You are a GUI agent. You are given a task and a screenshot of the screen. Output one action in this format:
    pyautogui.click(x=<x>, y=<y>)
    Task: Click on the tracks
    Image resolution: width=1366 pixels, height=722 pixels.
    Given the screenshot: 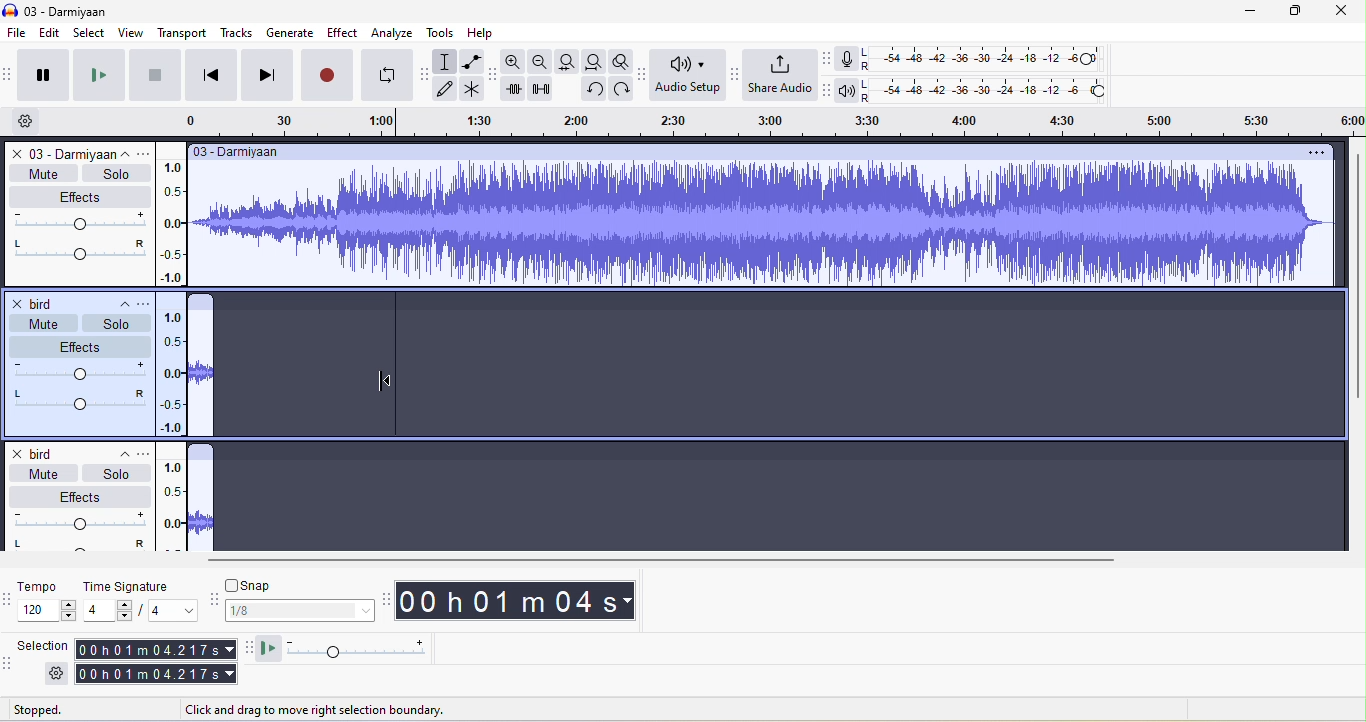 What is the action you would take?
    pyautogui.click(x=236, y=33)
    